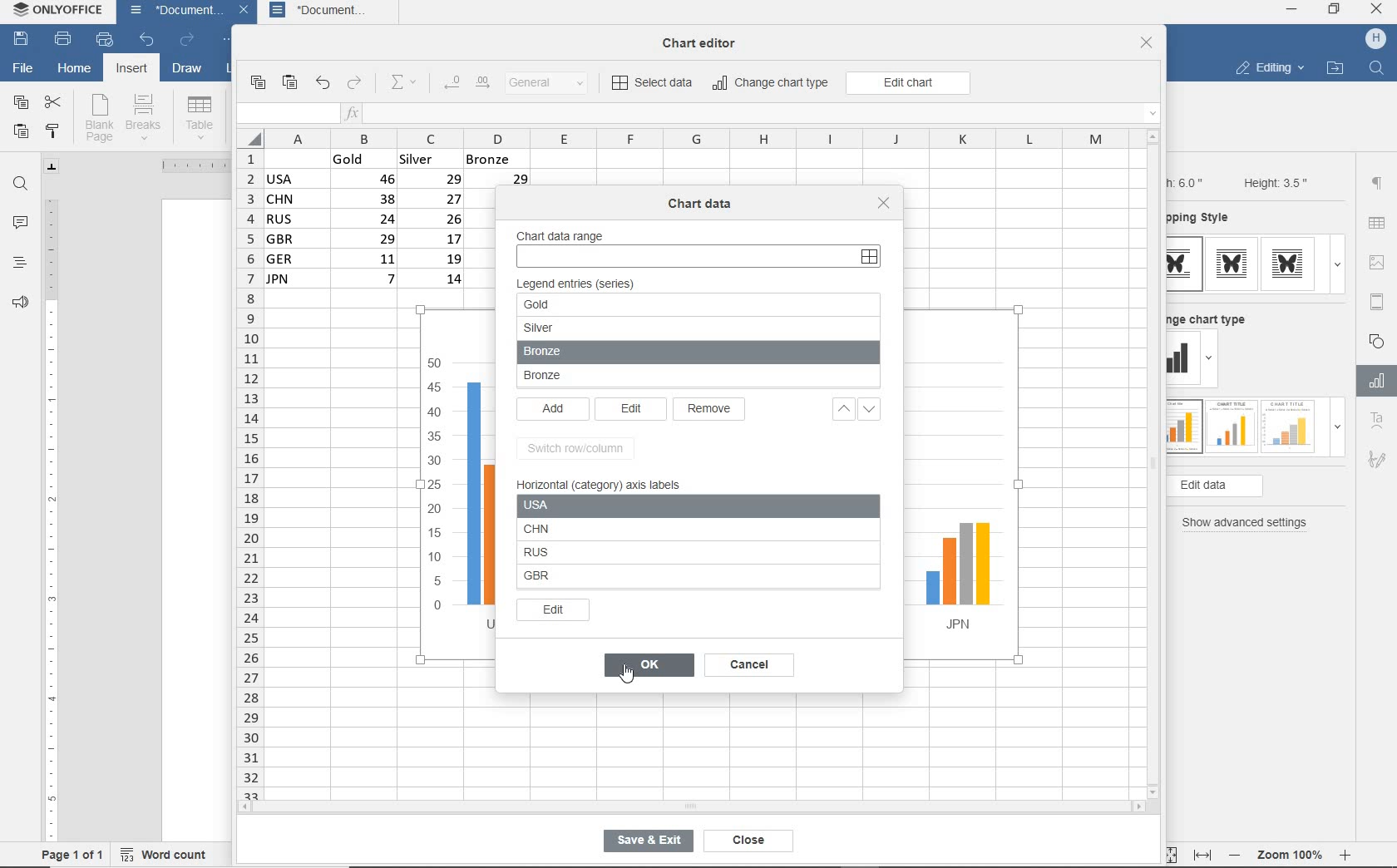 The height and width of the screenshot is (868, 1397). Describe the element at coordinates (1185, 264) in the screenshot. I see `type 1` at that location.